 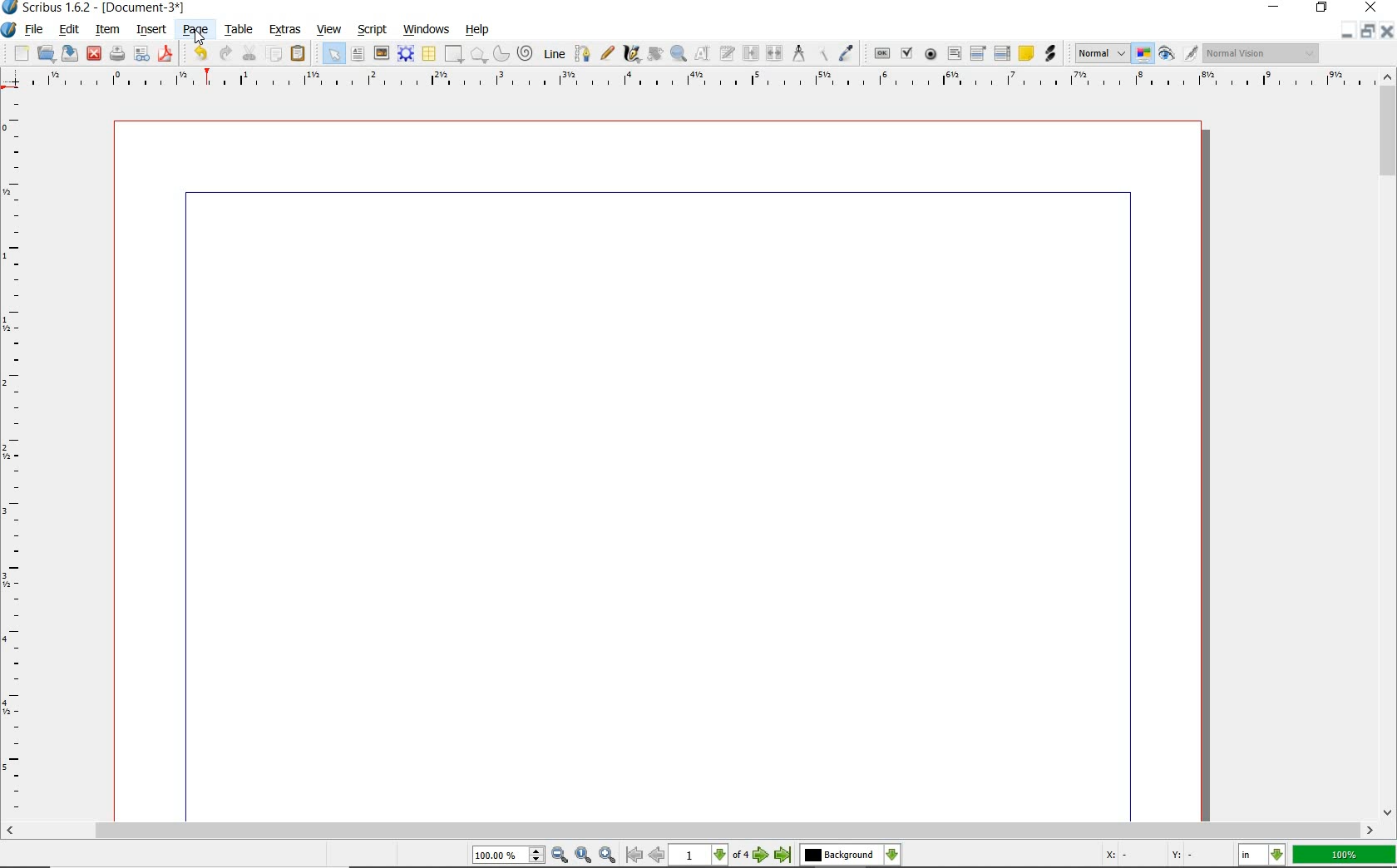 What do you see at coordinates (20, 54) in the screenshot?
I see `new` at bounding box center [20, 54].